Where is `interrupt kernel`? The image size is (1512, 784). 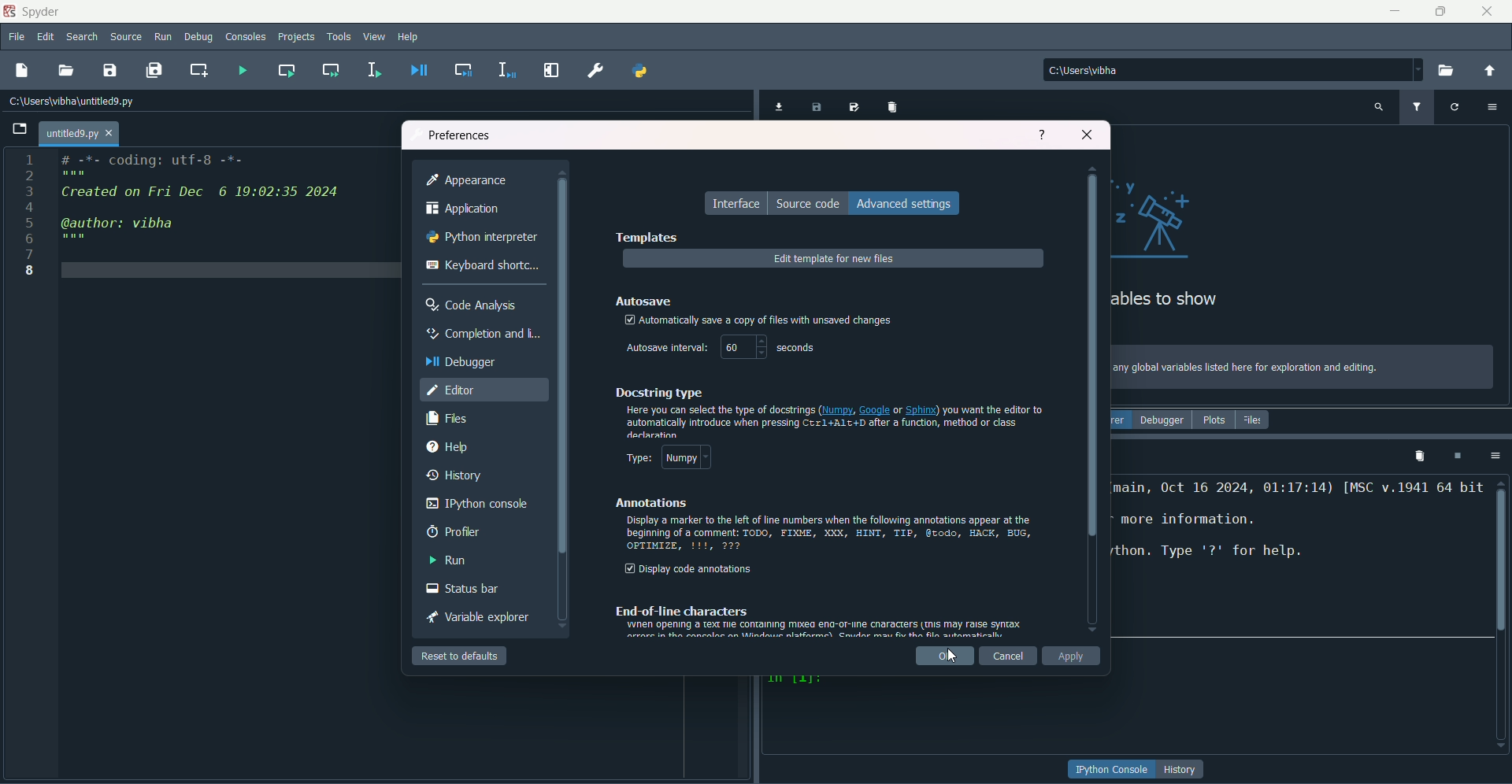 interrupt kernel is located at coordinates (1456, 456).